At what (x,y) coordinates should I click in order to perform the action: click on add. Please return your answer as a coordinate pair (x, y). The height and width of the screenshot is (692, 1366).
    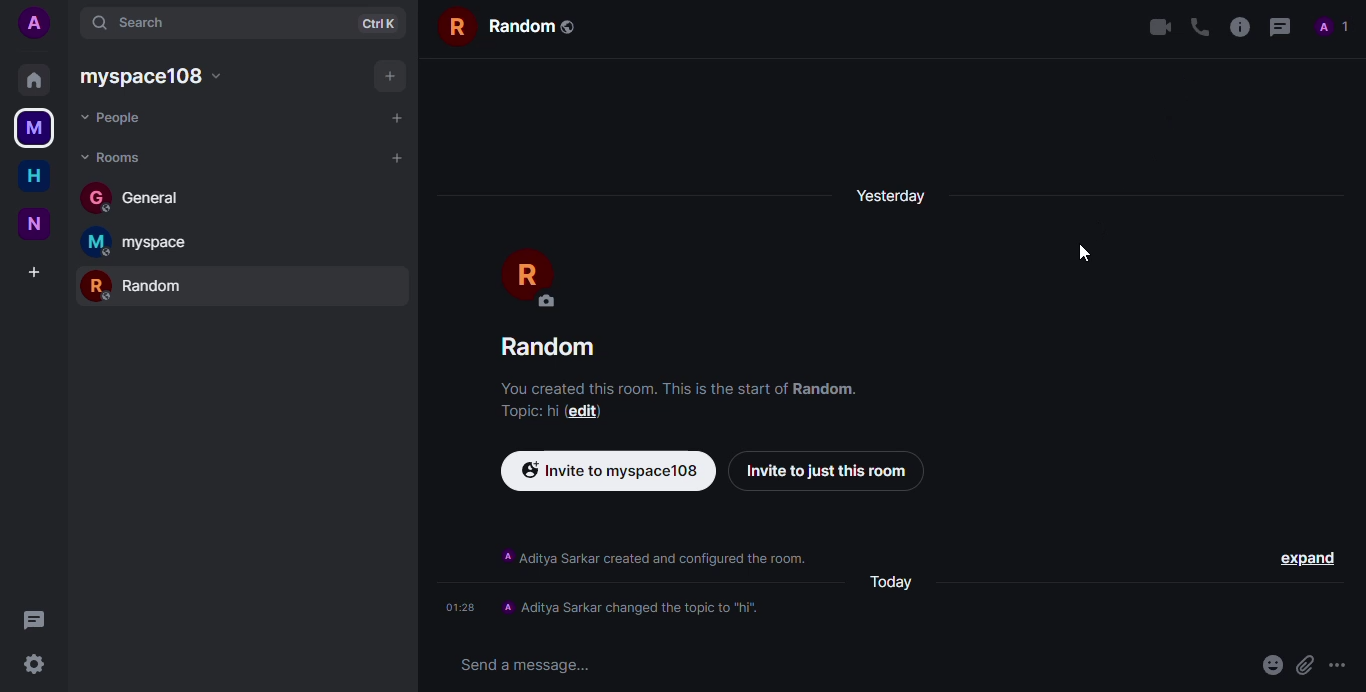
    Looking at the image, I should click on (396, 157).